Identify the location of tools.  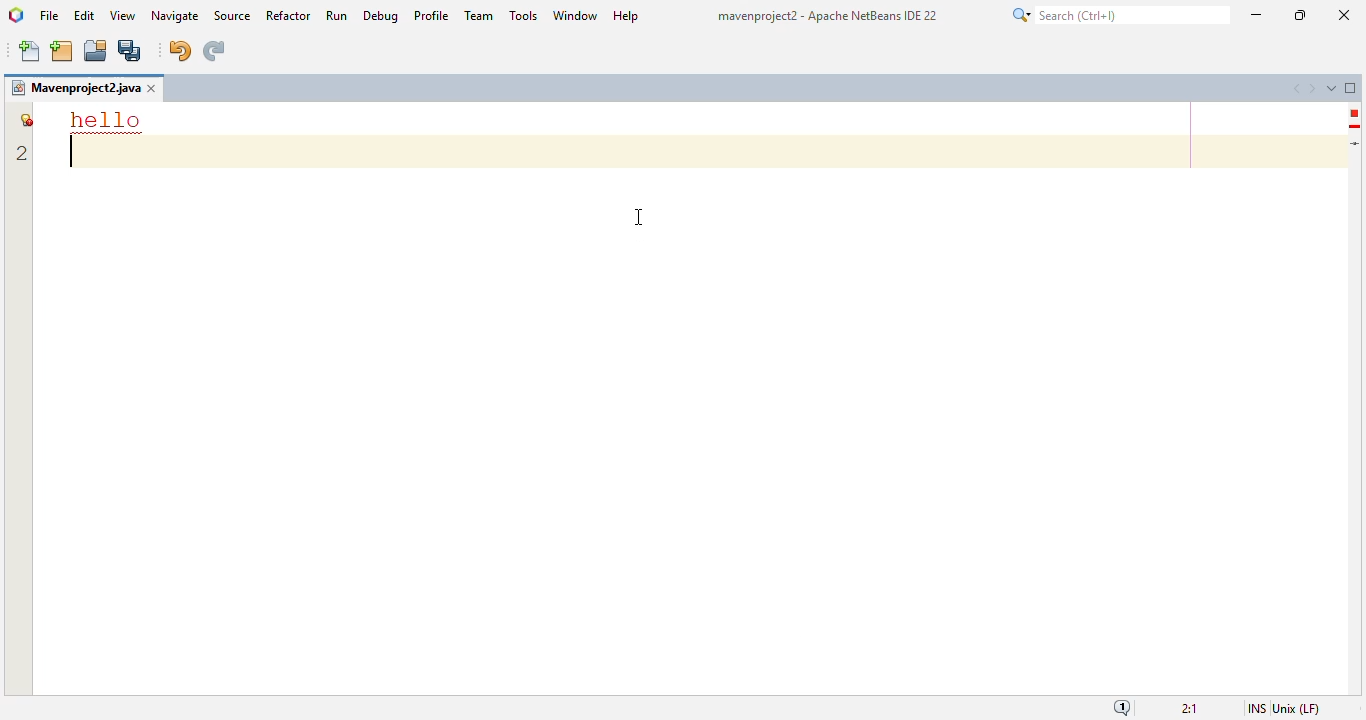
(523, 14).